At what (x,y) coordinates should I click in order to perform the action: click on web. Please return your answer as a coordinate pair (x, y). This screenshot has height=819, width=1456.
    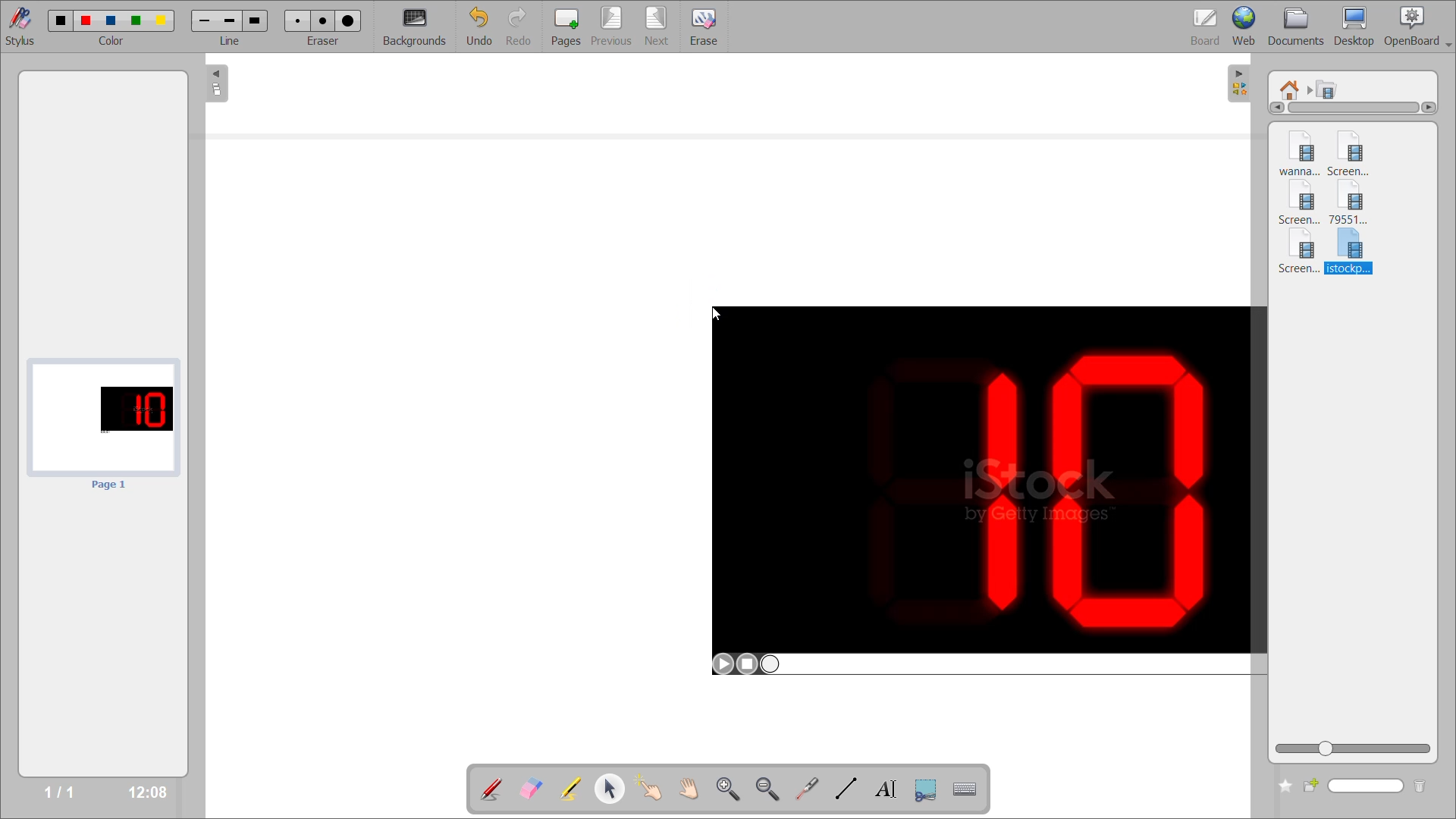
    Looking at the image, I should click on (1247, 23).